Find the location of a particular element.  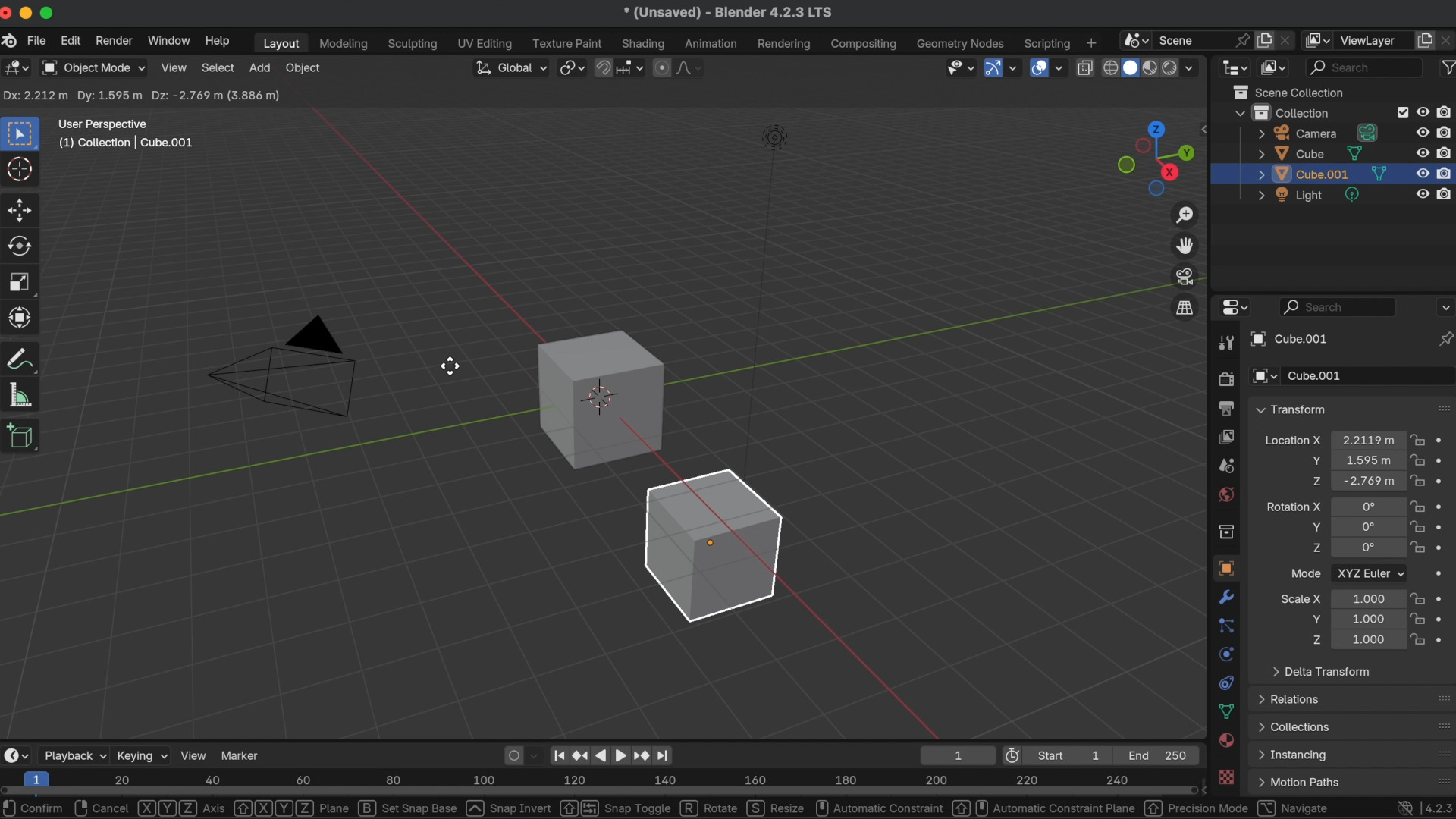

proportional editing fall off is located at coordinates (690, 67).